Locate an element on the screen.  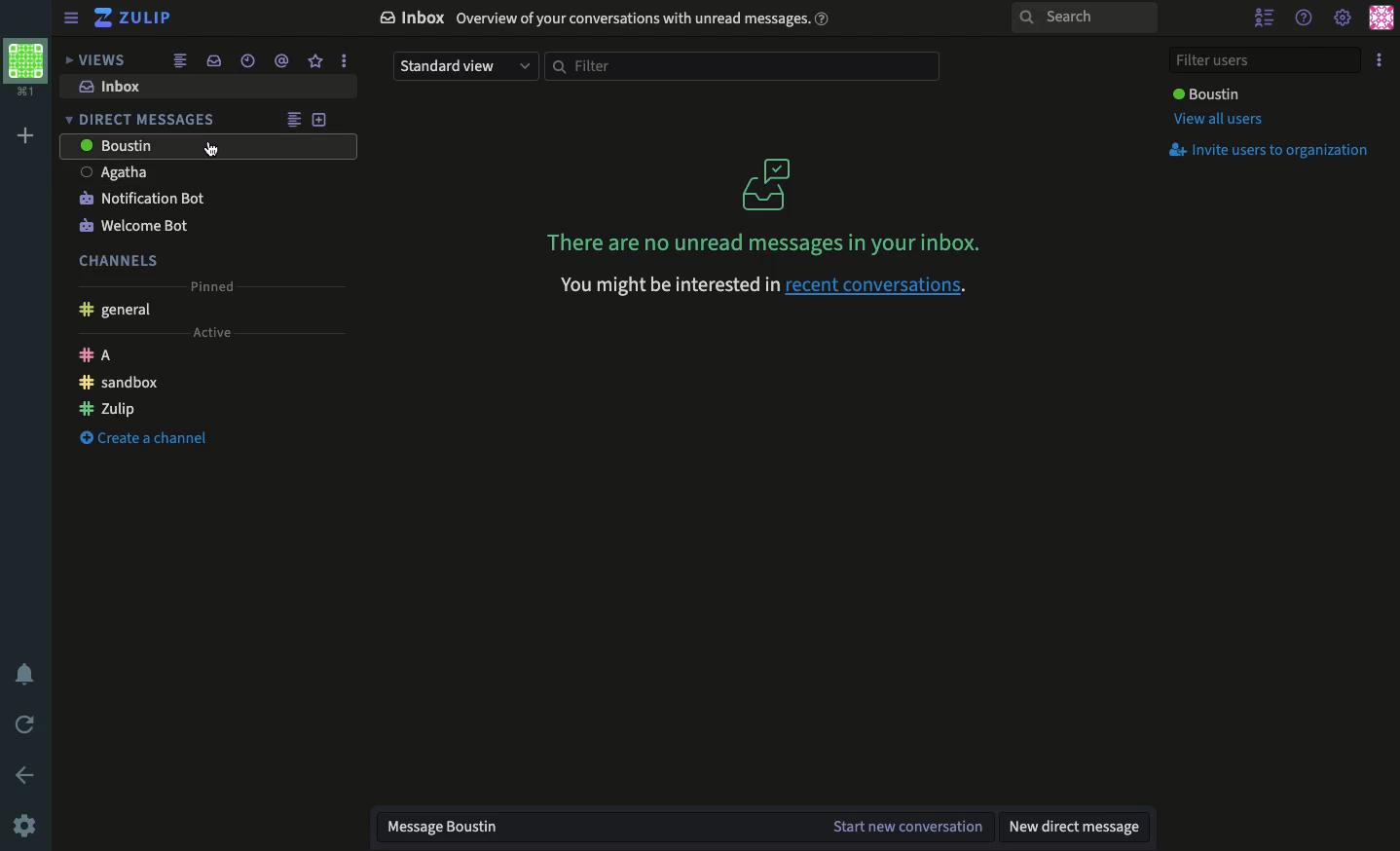
Settings is located at coordinates (1342, 18).